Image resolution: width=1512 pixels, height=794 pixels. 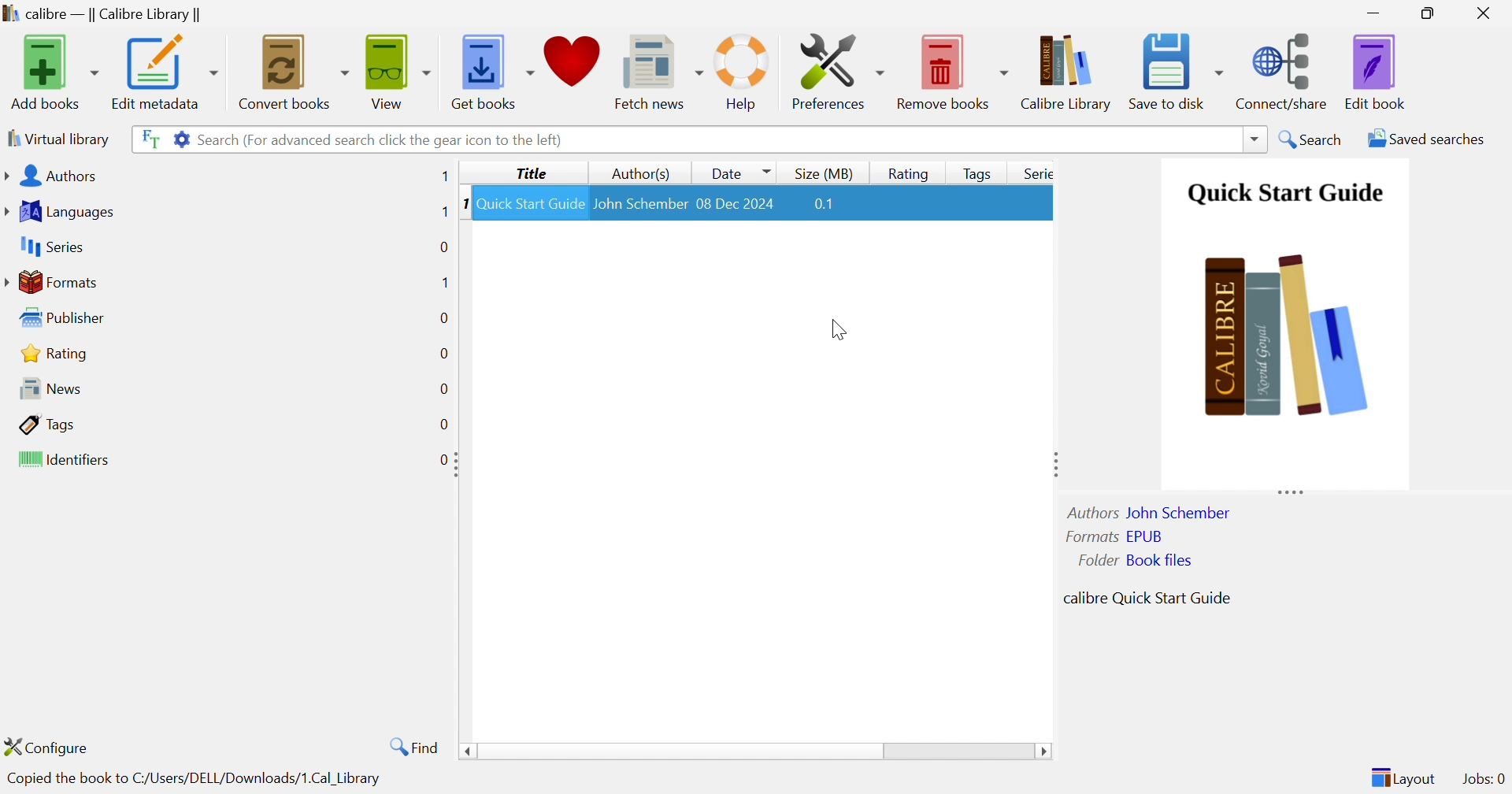 What do you see at coordinates (495, 69) in the screenshot?
I see `Get books` at bounding box center [495, 69].